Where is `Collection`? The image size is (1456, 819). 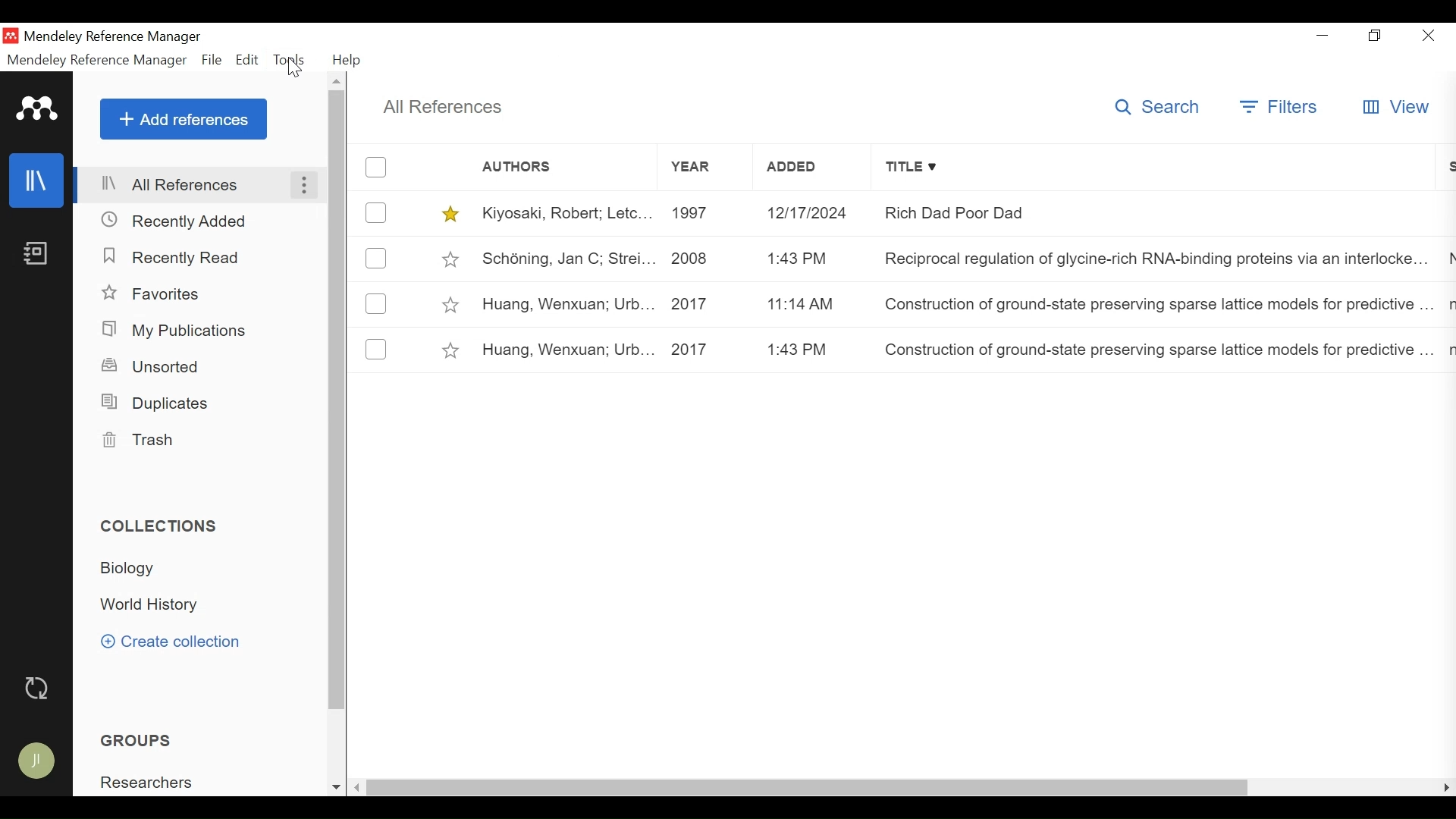 Collection is located at coordinates (133, 568).